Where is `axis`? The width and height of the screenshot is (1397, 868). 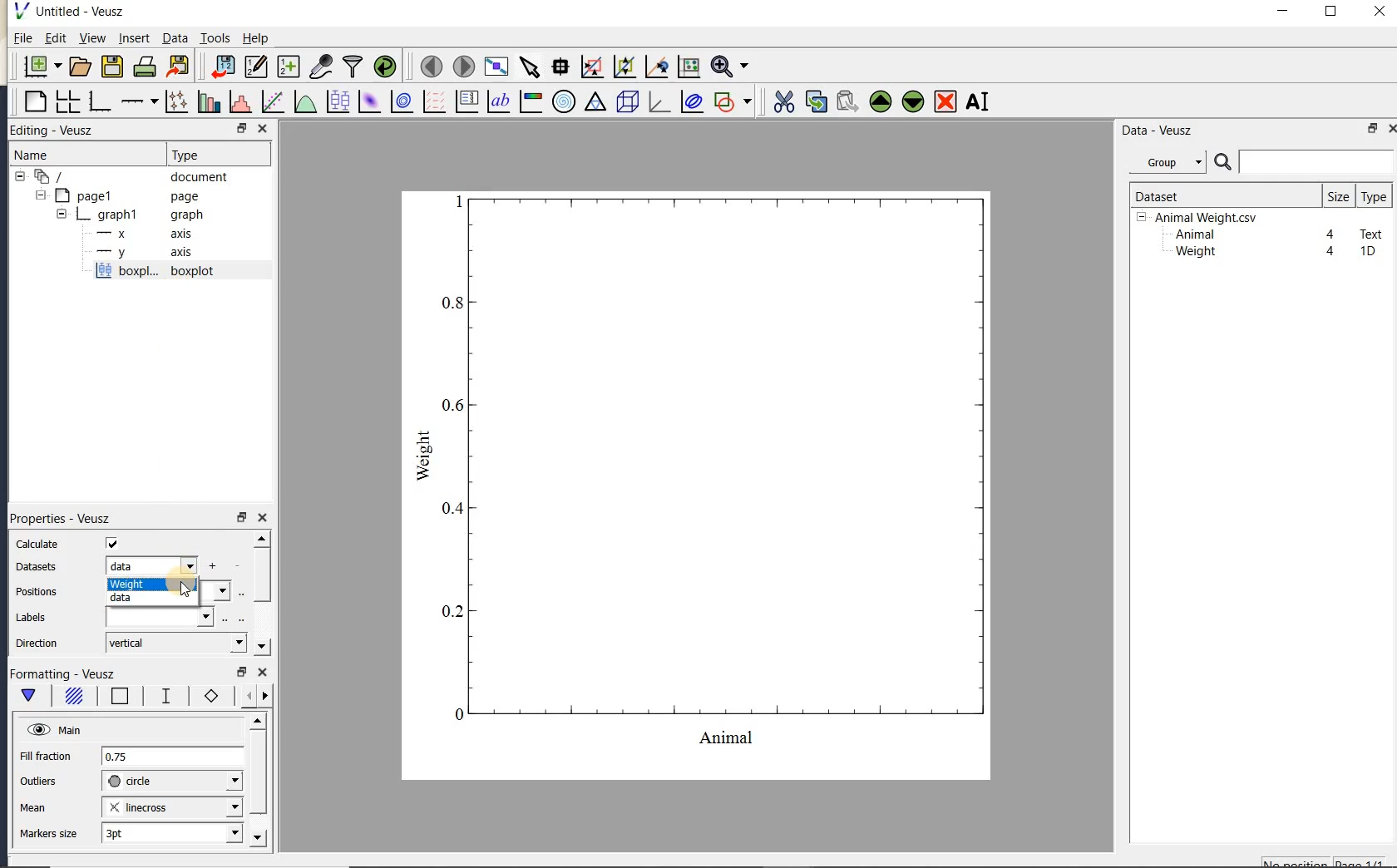 axis is located at coordinates (140, 234).